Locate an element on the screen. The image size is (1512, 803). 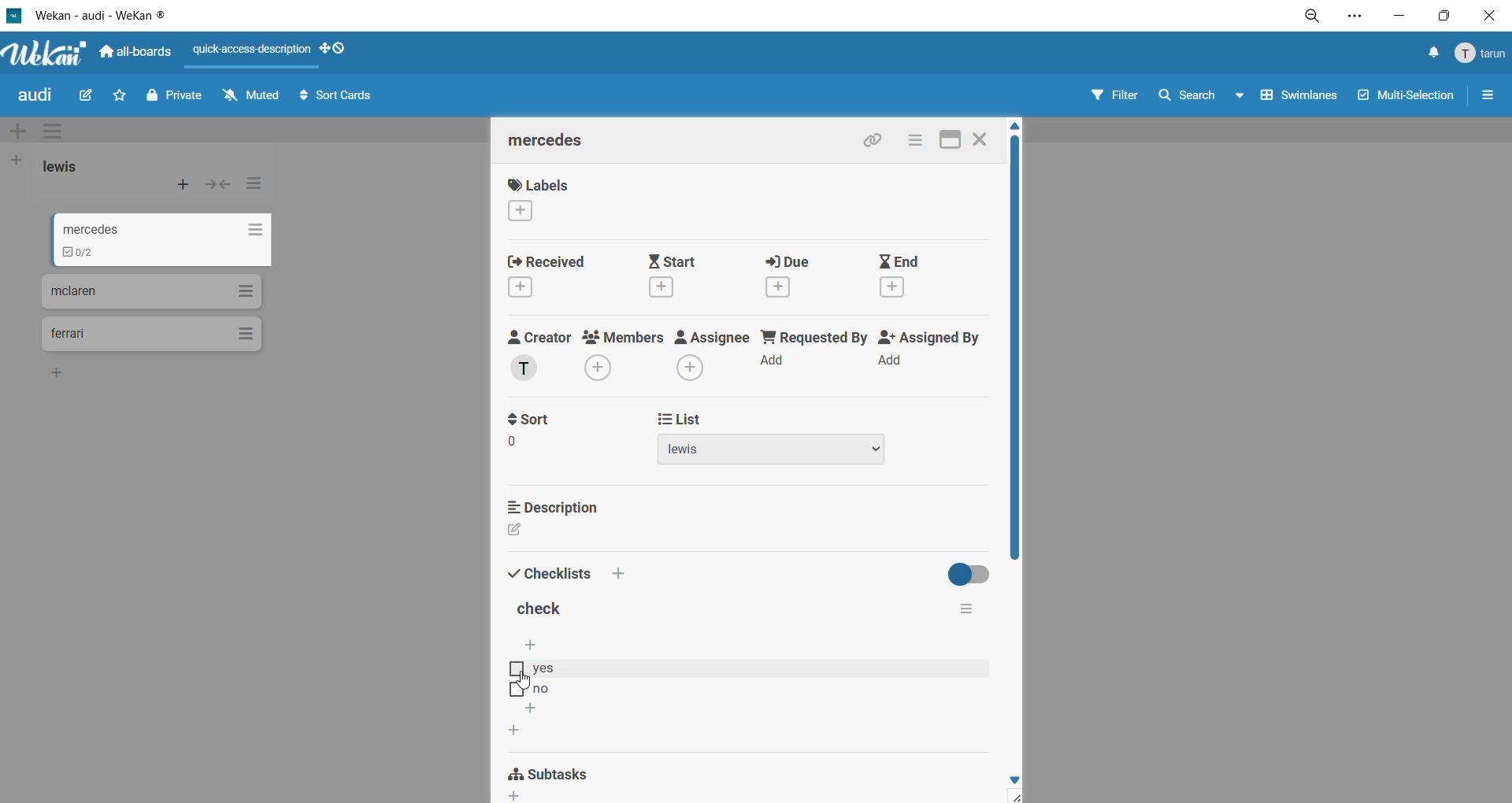
swimlane actions is located at coordinates (50, 128).